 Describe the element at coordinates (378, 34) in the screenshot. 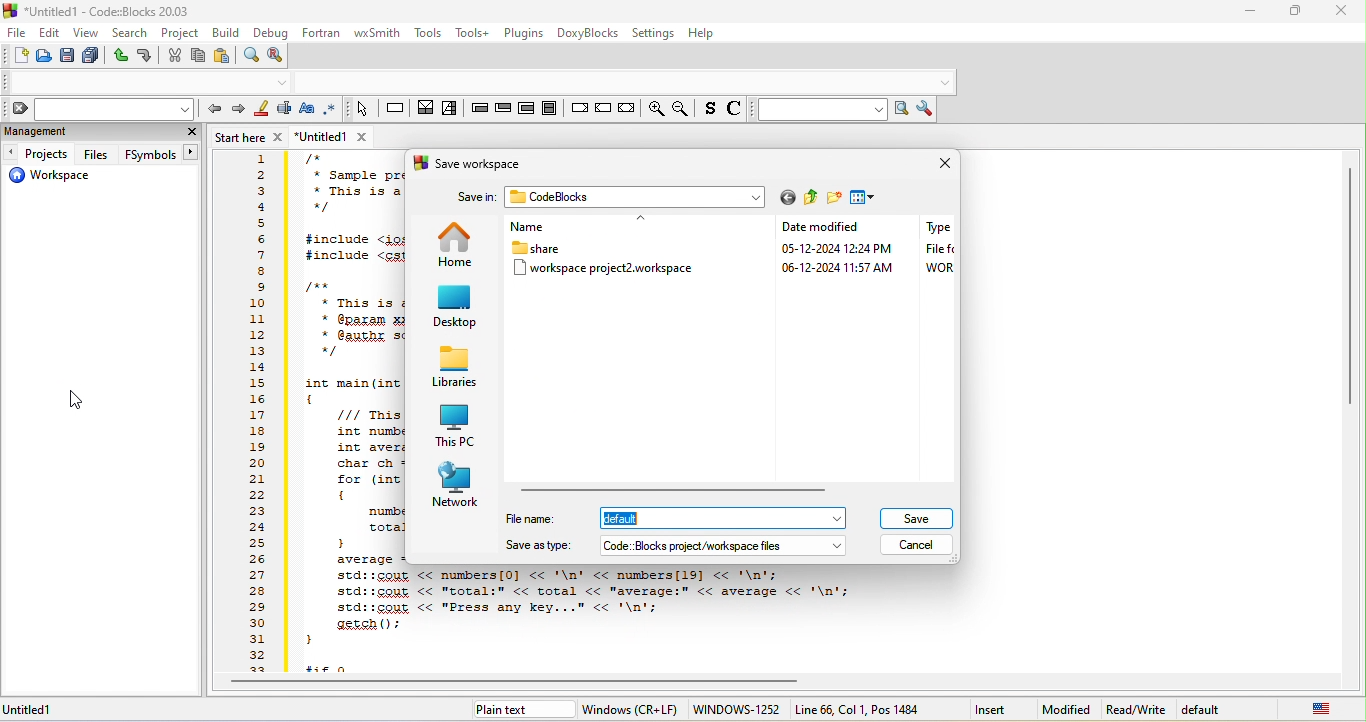

I see `wxsmith` at that location.